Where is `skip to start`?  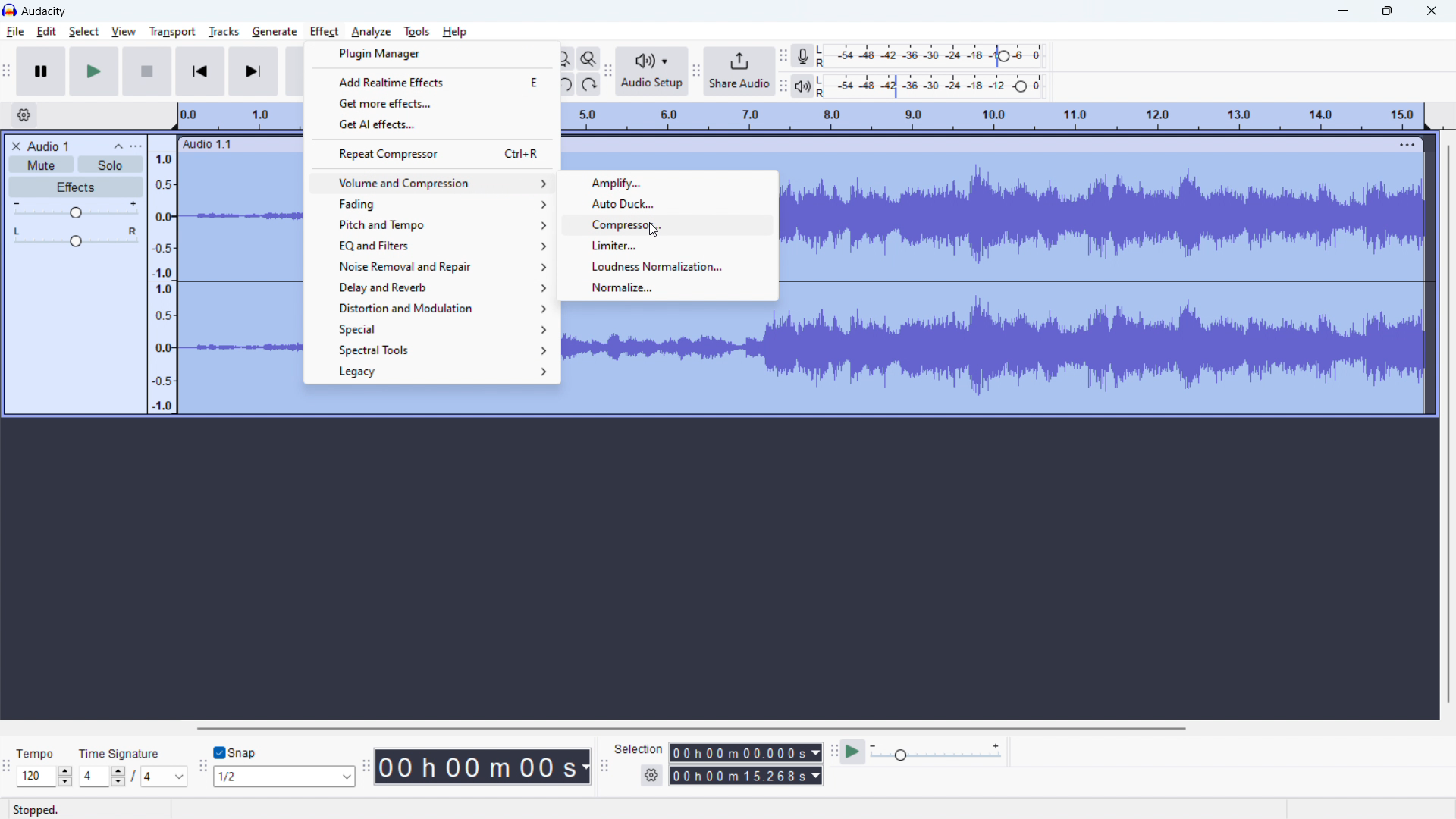 skip to start is located at coordinates (200, 71).